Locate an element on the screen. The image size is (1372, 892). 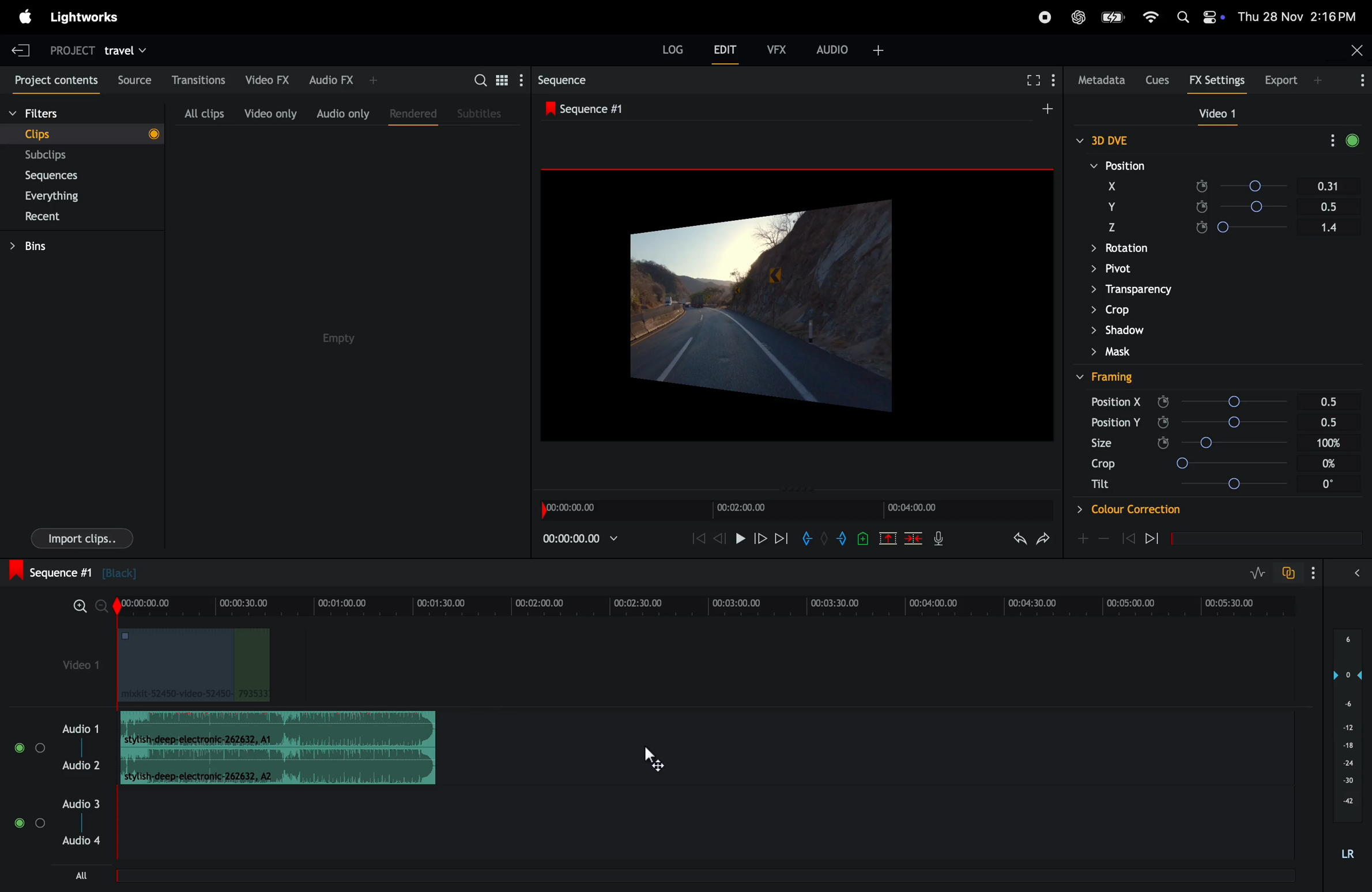
toggle auto track sync is located at coordinates (1291, 572).